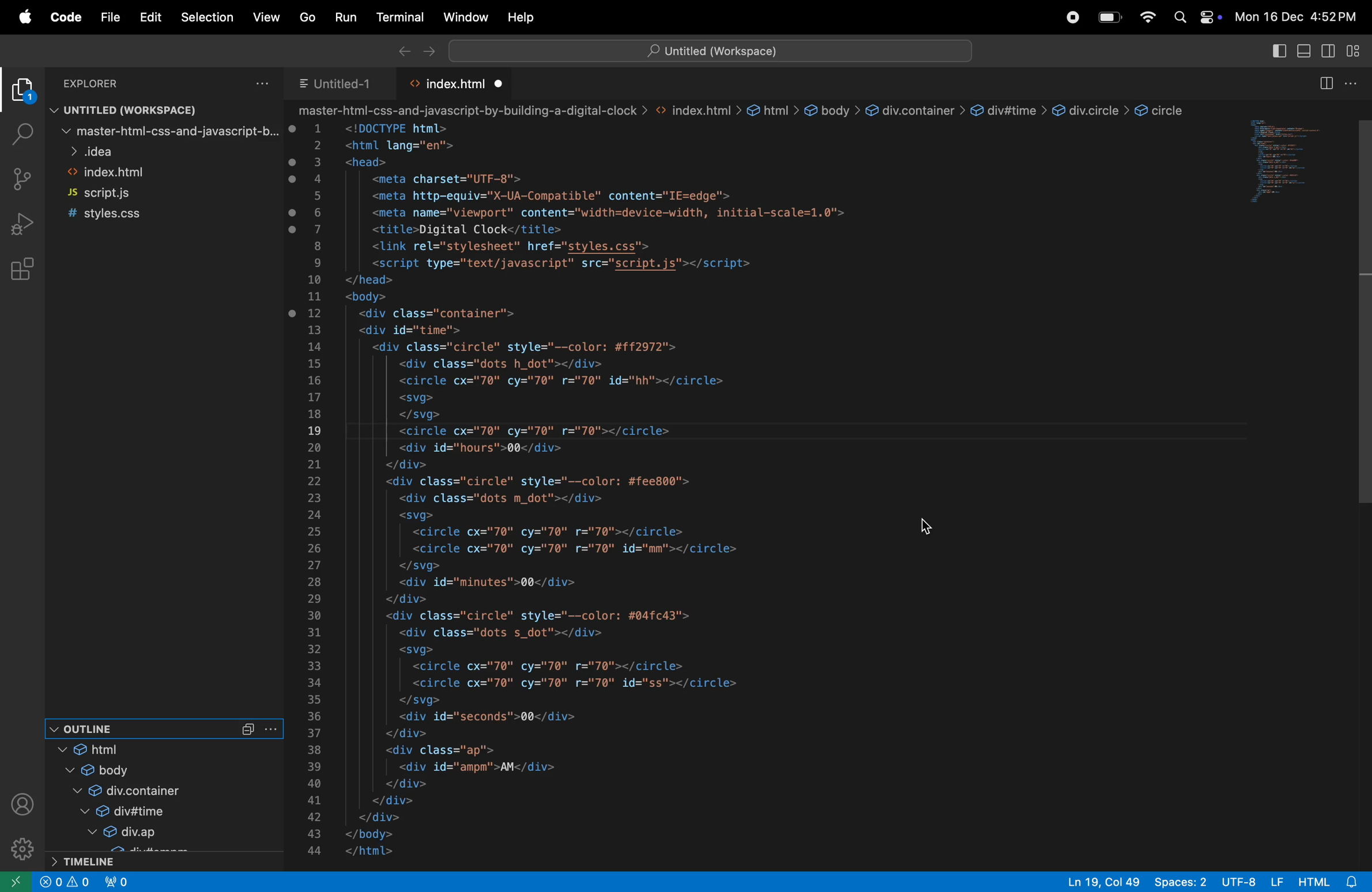  What do you see at coordinates (1180, 882) in the screenshot?
I see `spaces 2` at bounding box center [1180, 882].